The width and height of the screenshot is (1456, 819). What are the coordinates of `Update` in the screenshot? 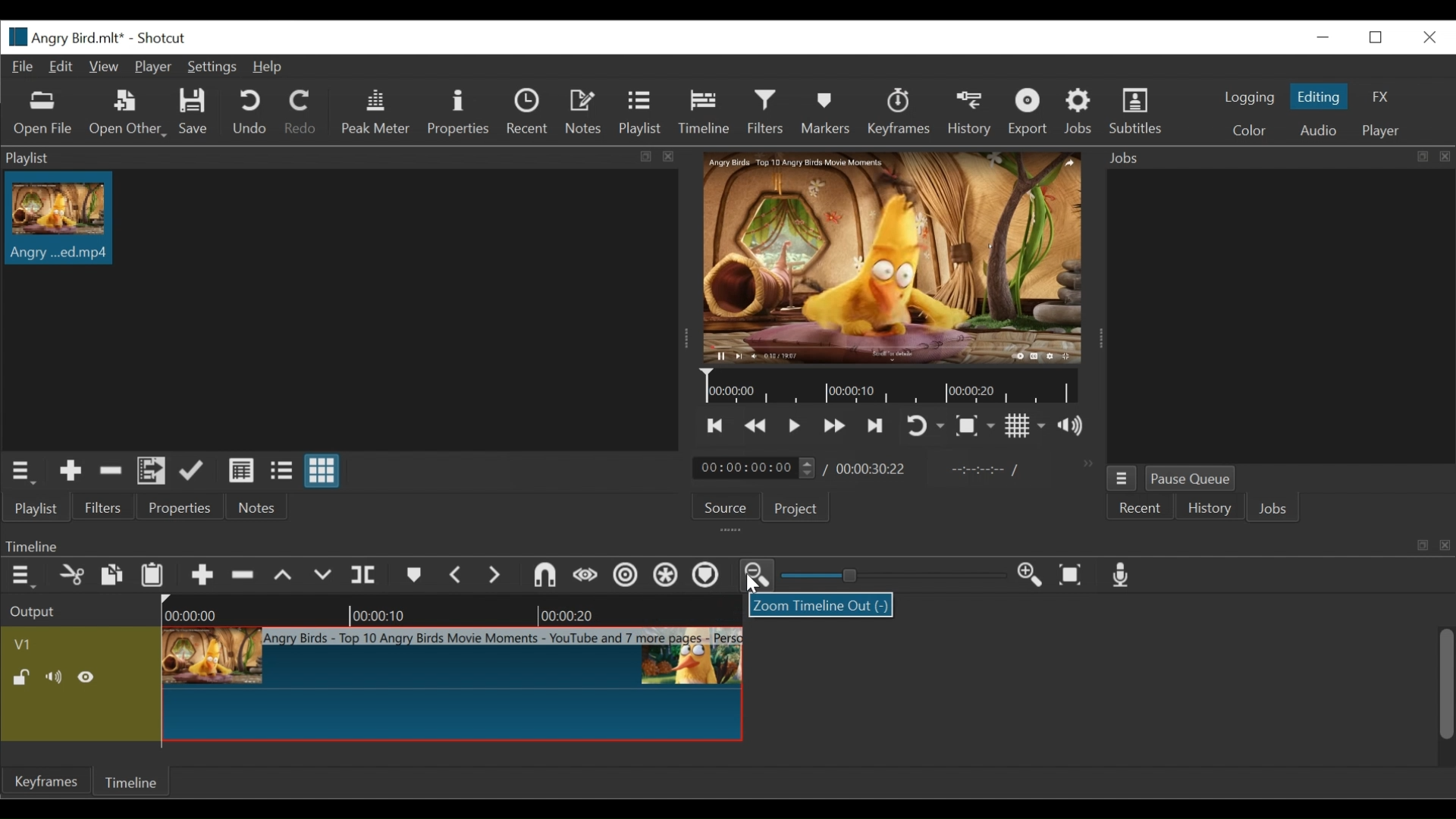 It's located at (192, 471).